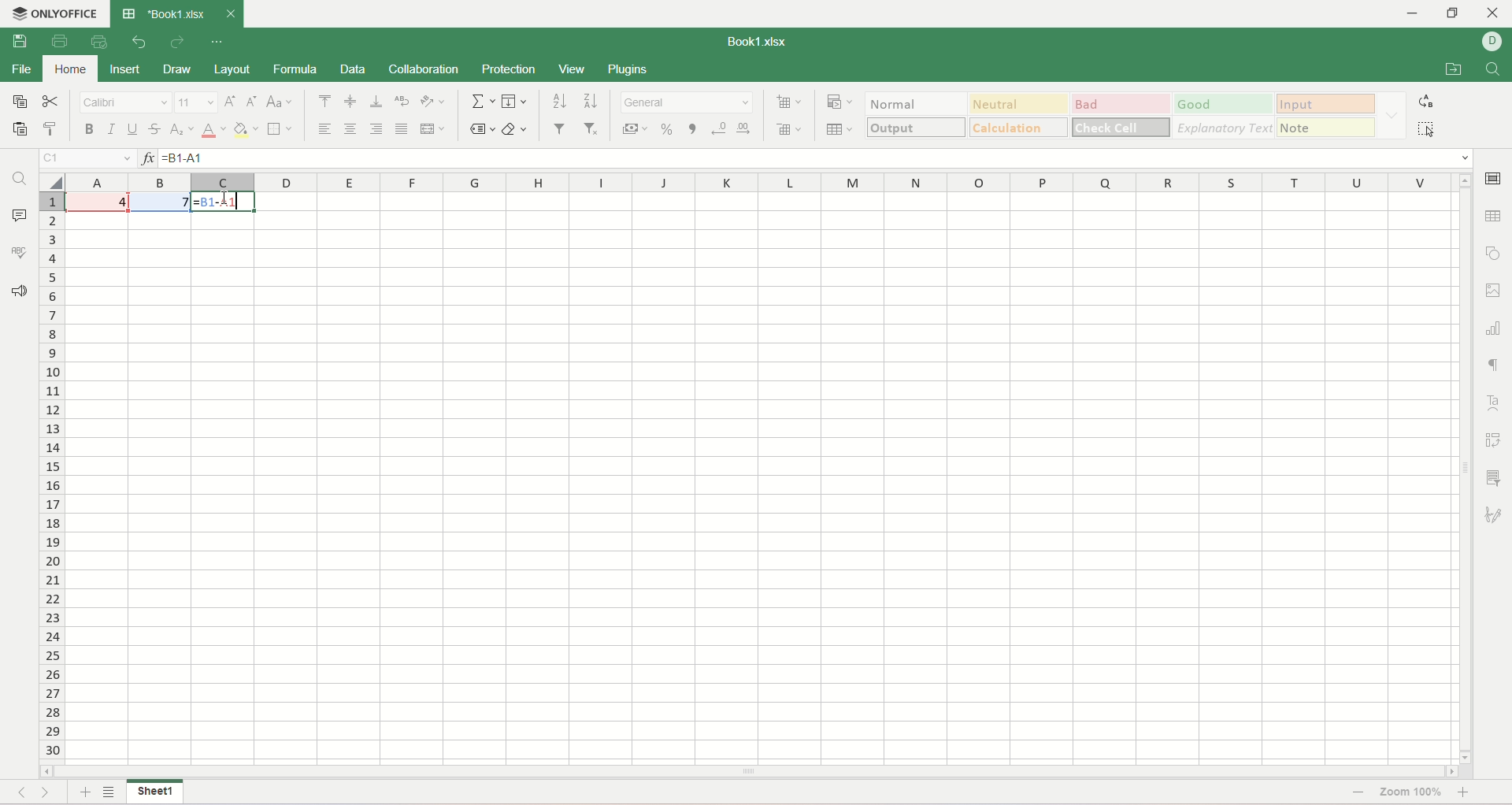 The image size is (1512, 805). Describe the element at coordinates (1019, 127) in the screenshot. I see `calculation` at that location.